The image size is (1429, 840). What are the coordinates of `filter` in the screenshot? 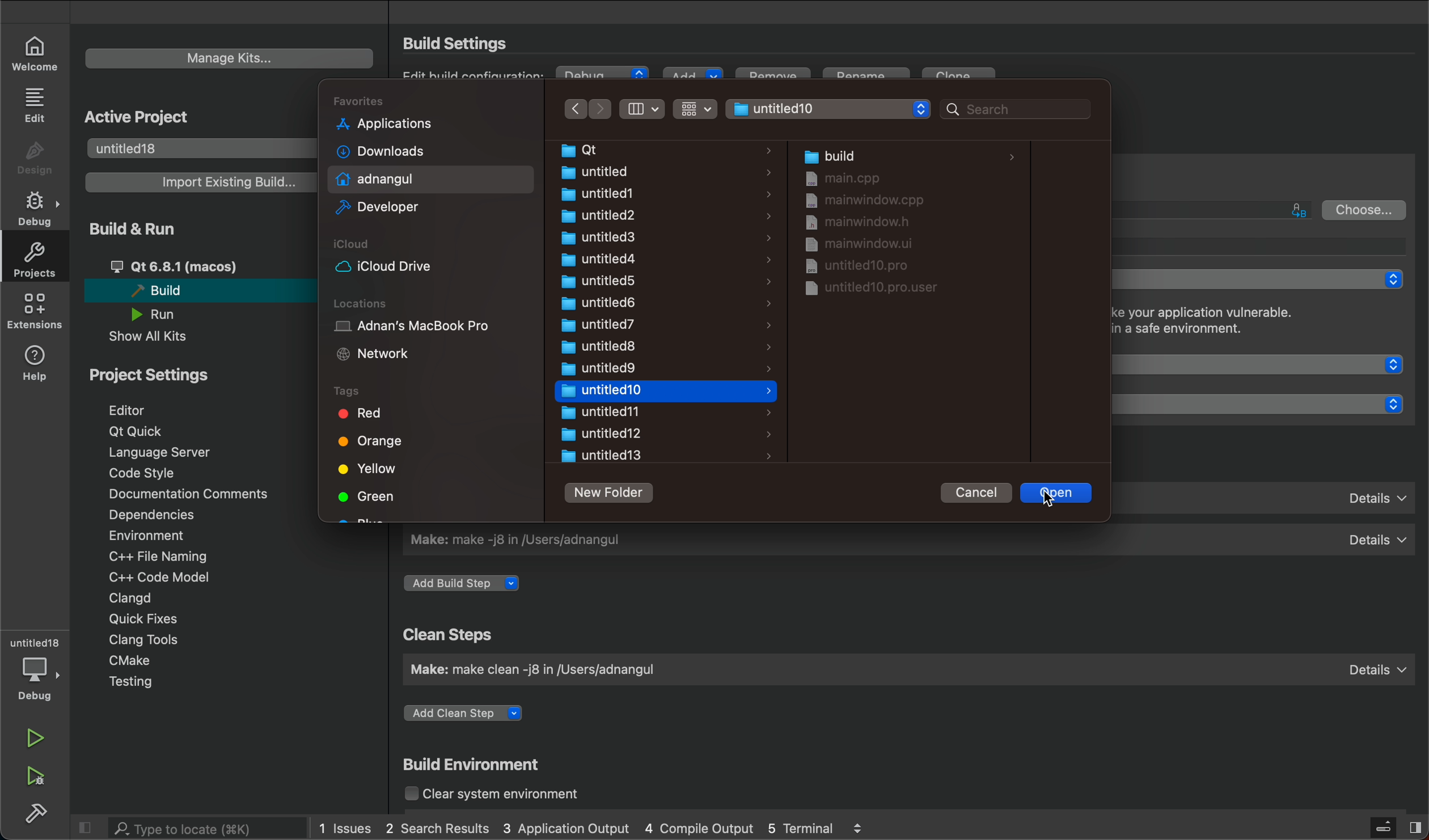 It's located at (698, 108).